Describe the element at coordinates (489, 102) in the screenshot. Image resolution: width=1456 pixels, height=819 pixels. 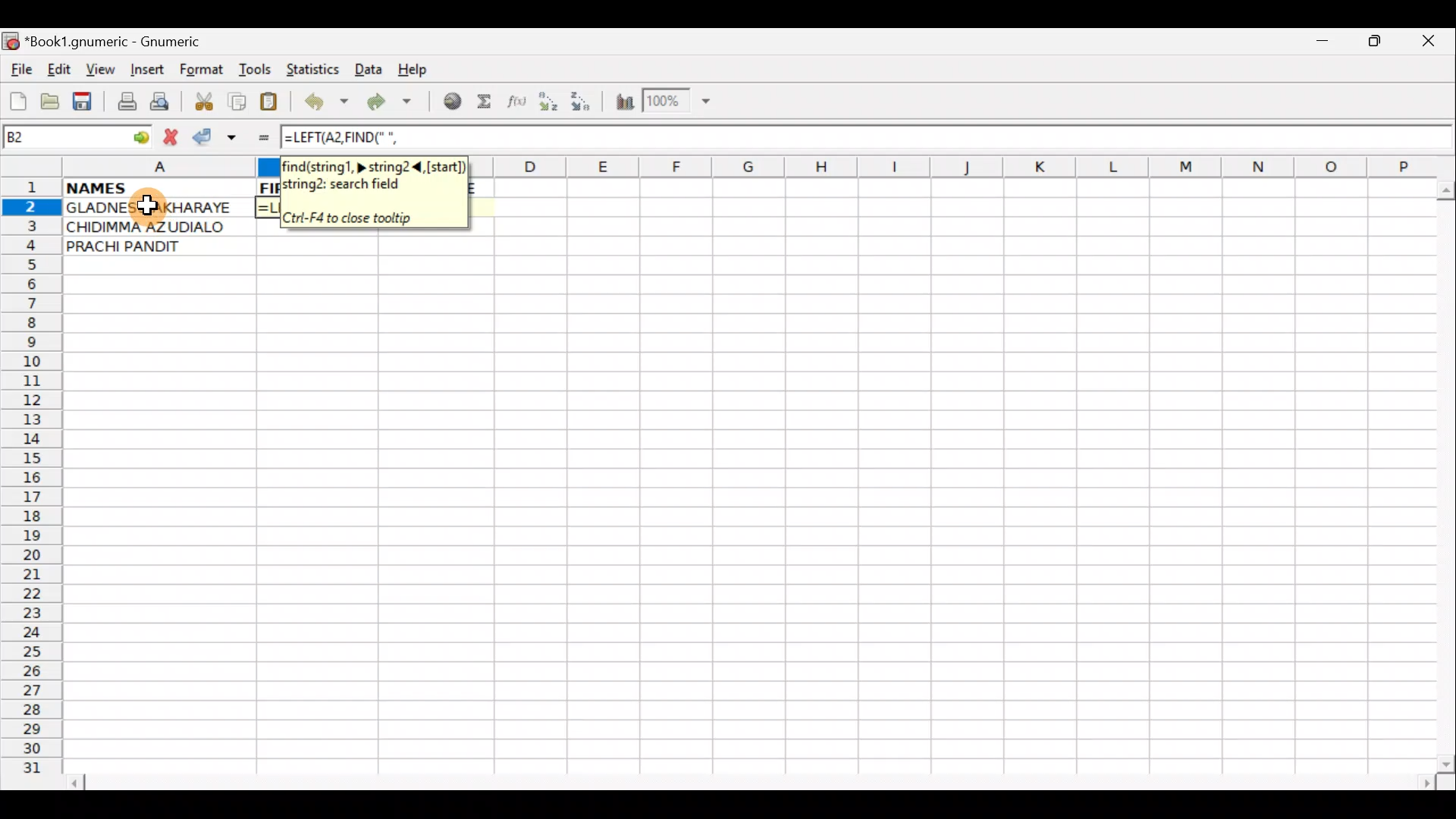
I see `Sum in the current cell` at that location.